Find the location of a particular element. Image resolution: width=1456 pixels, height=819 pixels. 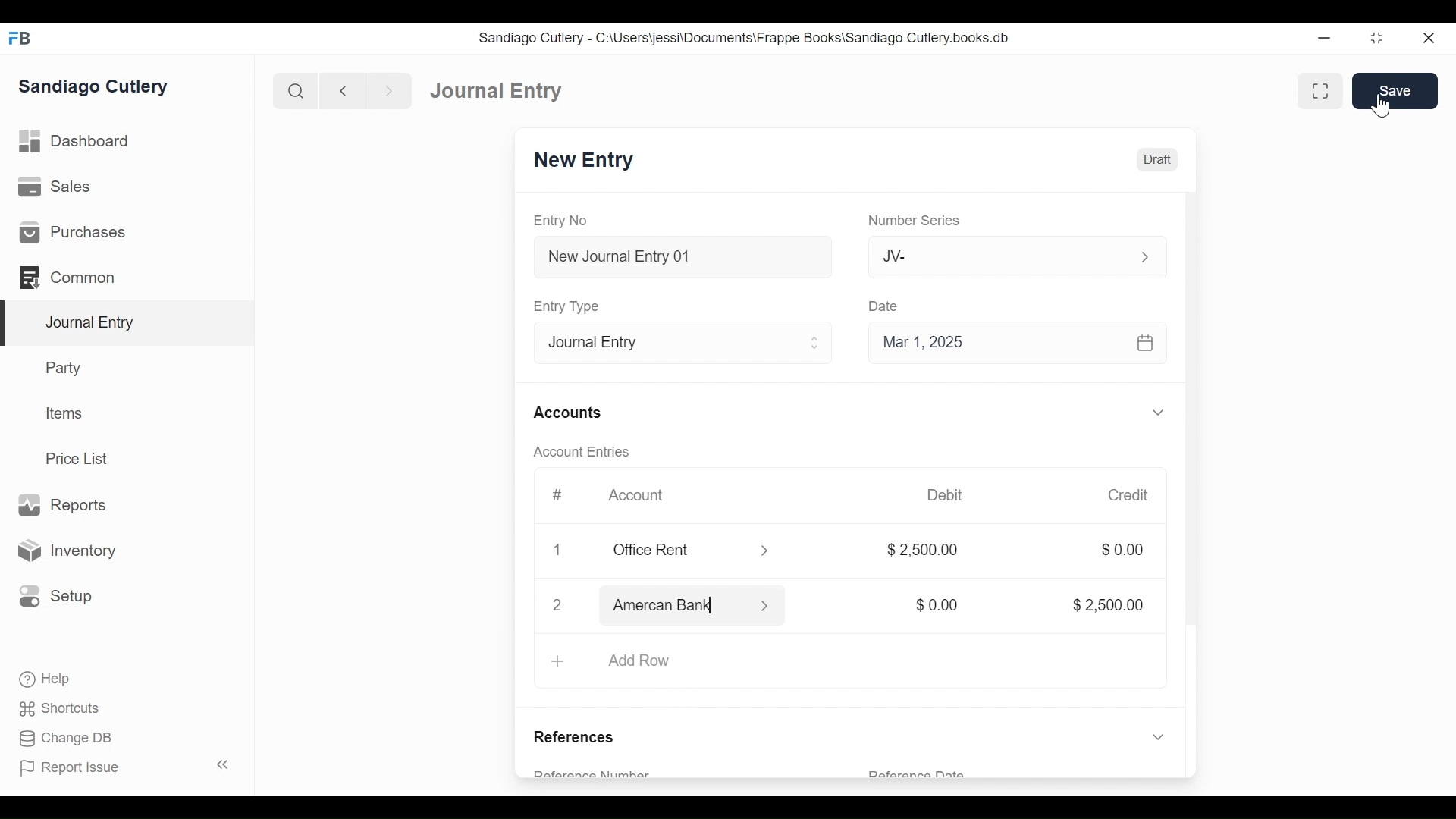

Dashboard is located at coordinates (491, 89).